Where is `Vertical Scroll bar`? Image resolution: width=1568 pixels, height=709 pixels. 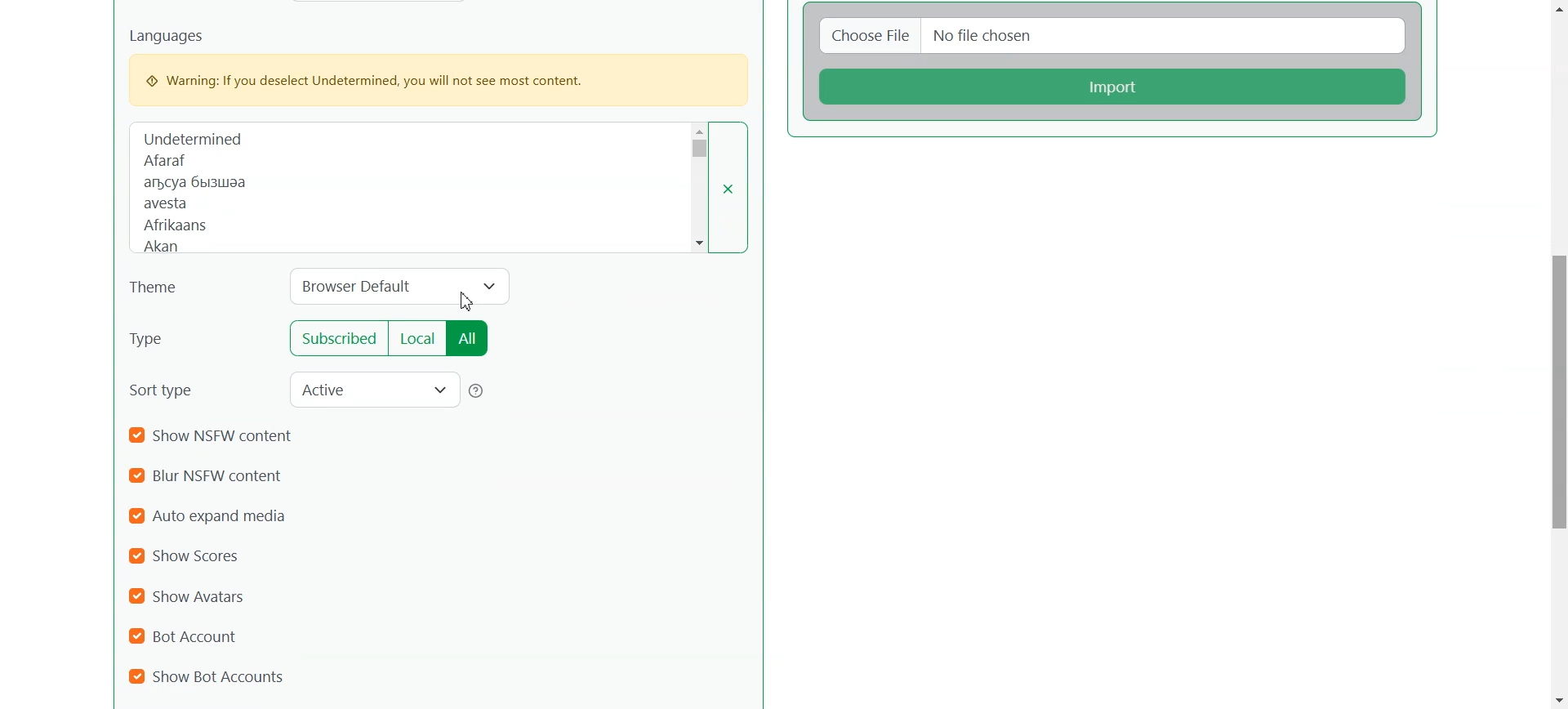 Vertical Scroll bar is located at coordinates (1557, 354).